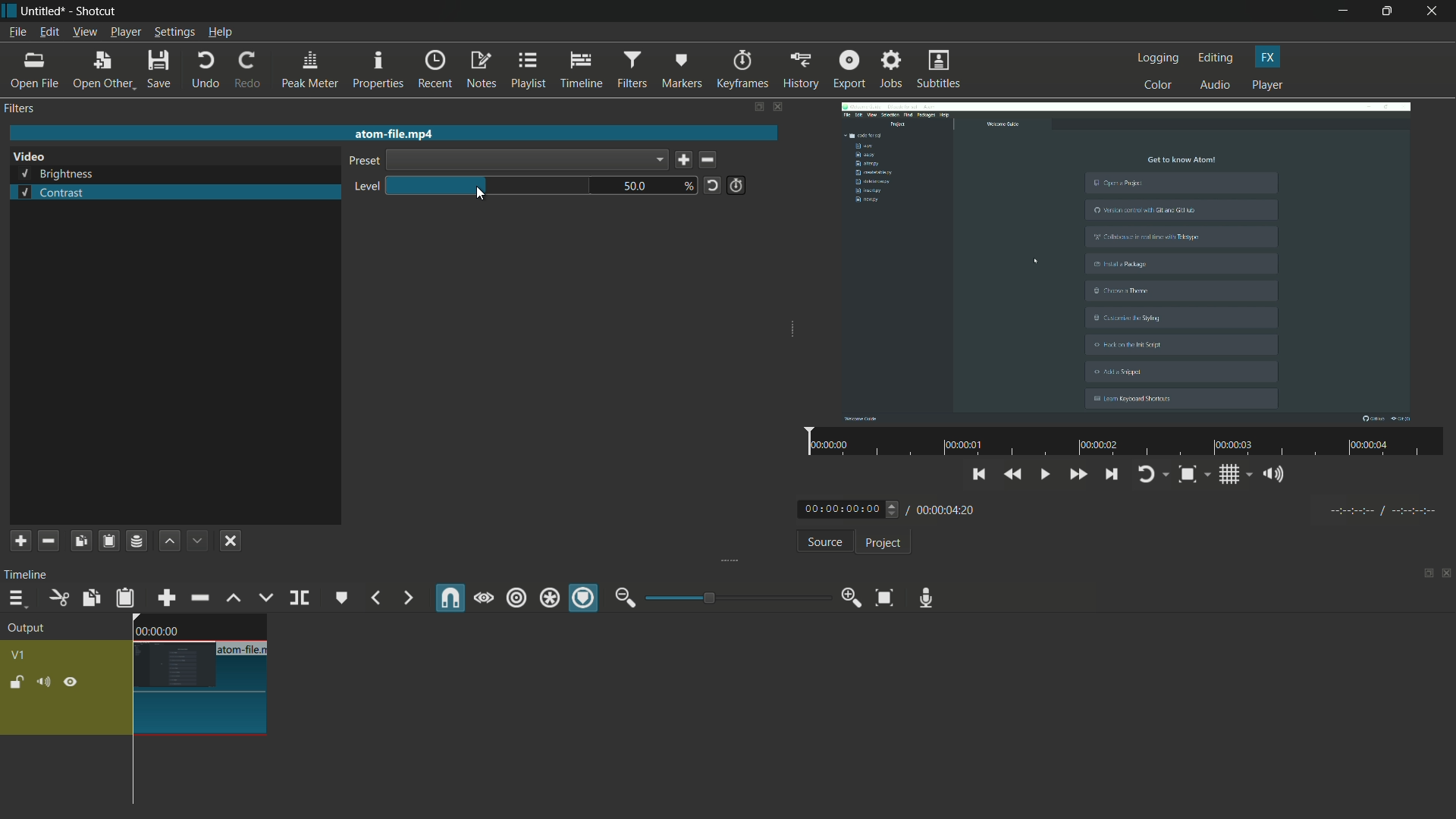  What do you see at coordinates (742, 70) in the screenshot?
I see `keyframes` at bounding box center [742, 70].